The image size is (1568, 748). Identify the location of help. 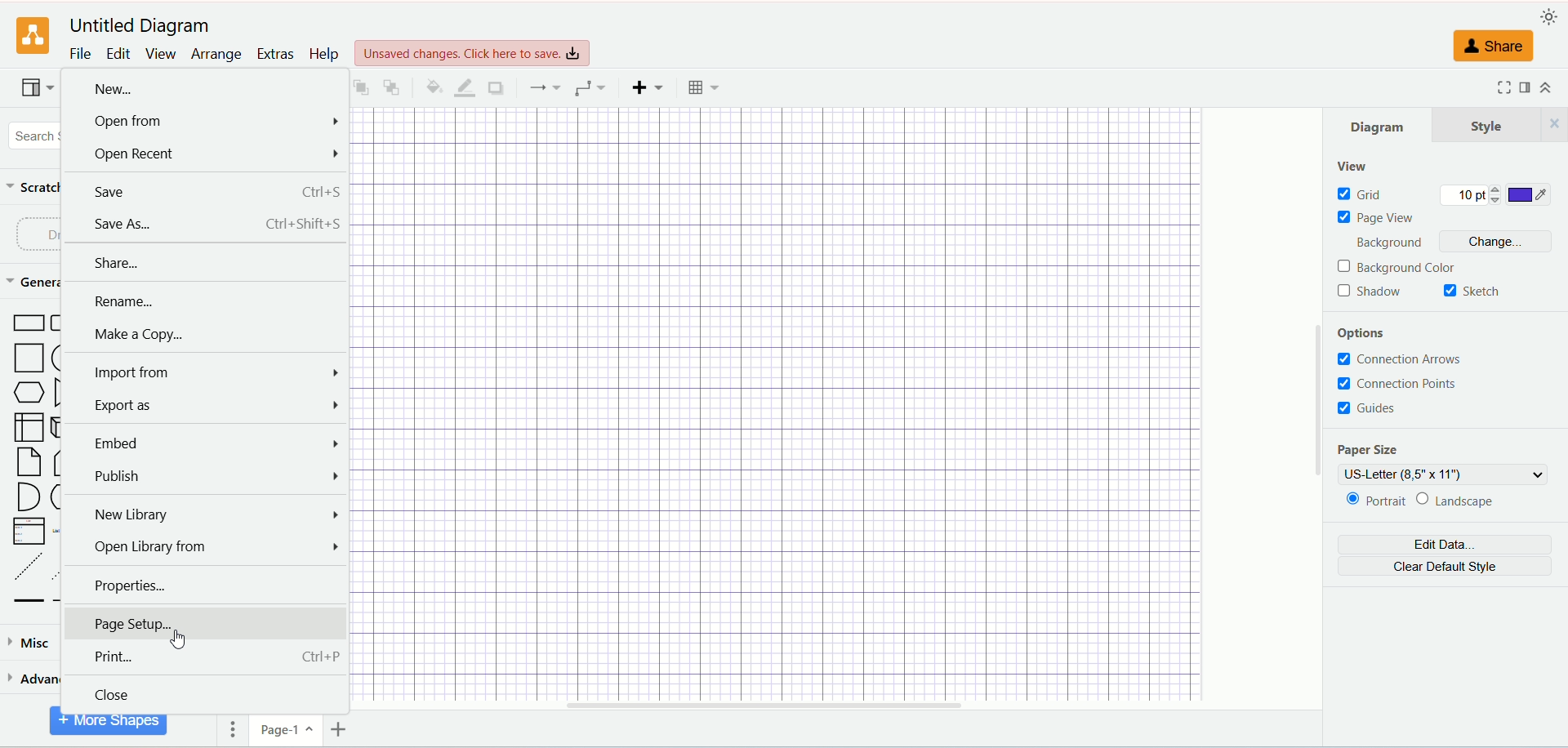
(324, 54).